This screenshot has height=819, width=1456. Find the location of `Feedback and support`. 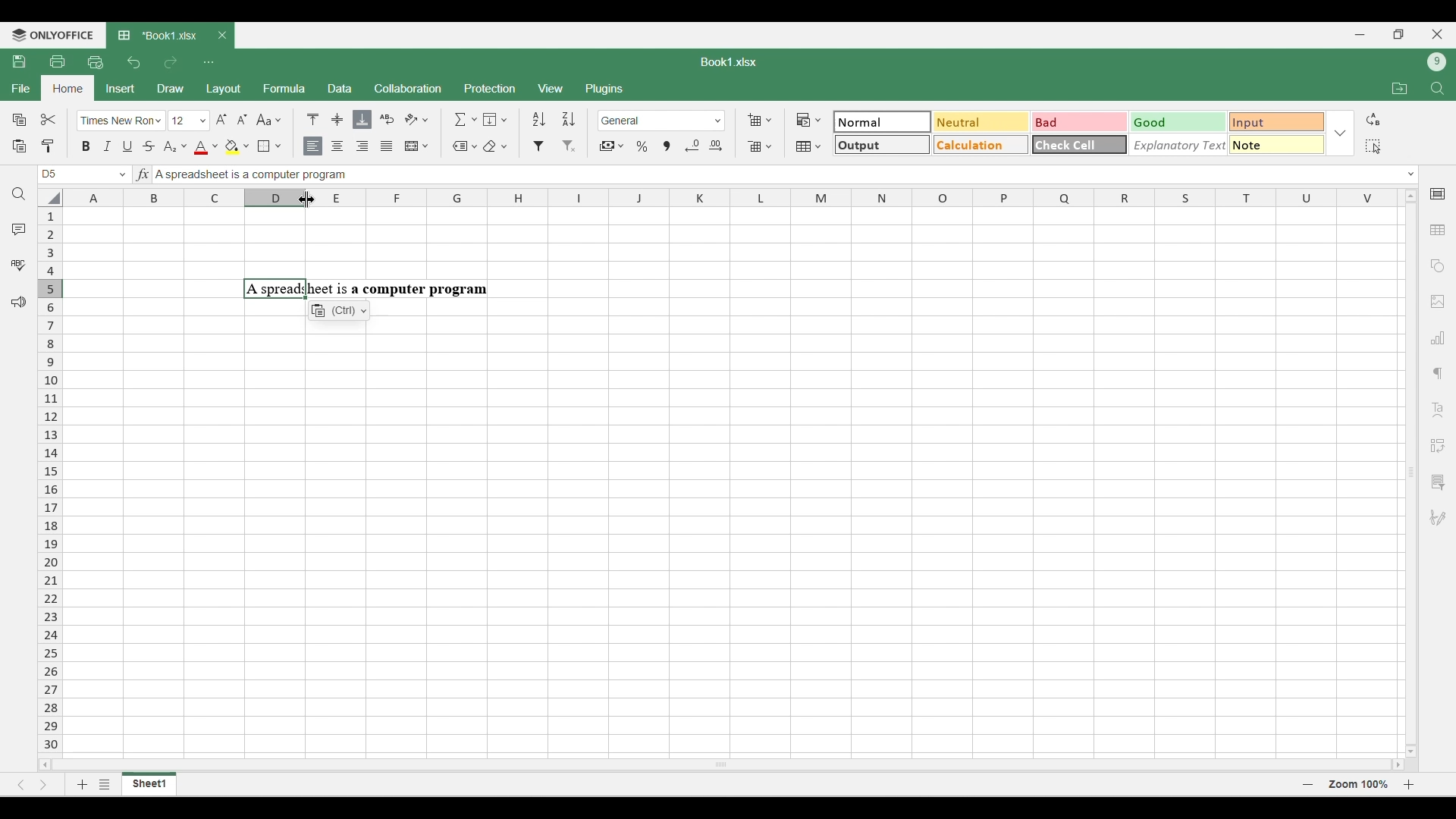

Feedback and support is located at coordinates (19, 303).